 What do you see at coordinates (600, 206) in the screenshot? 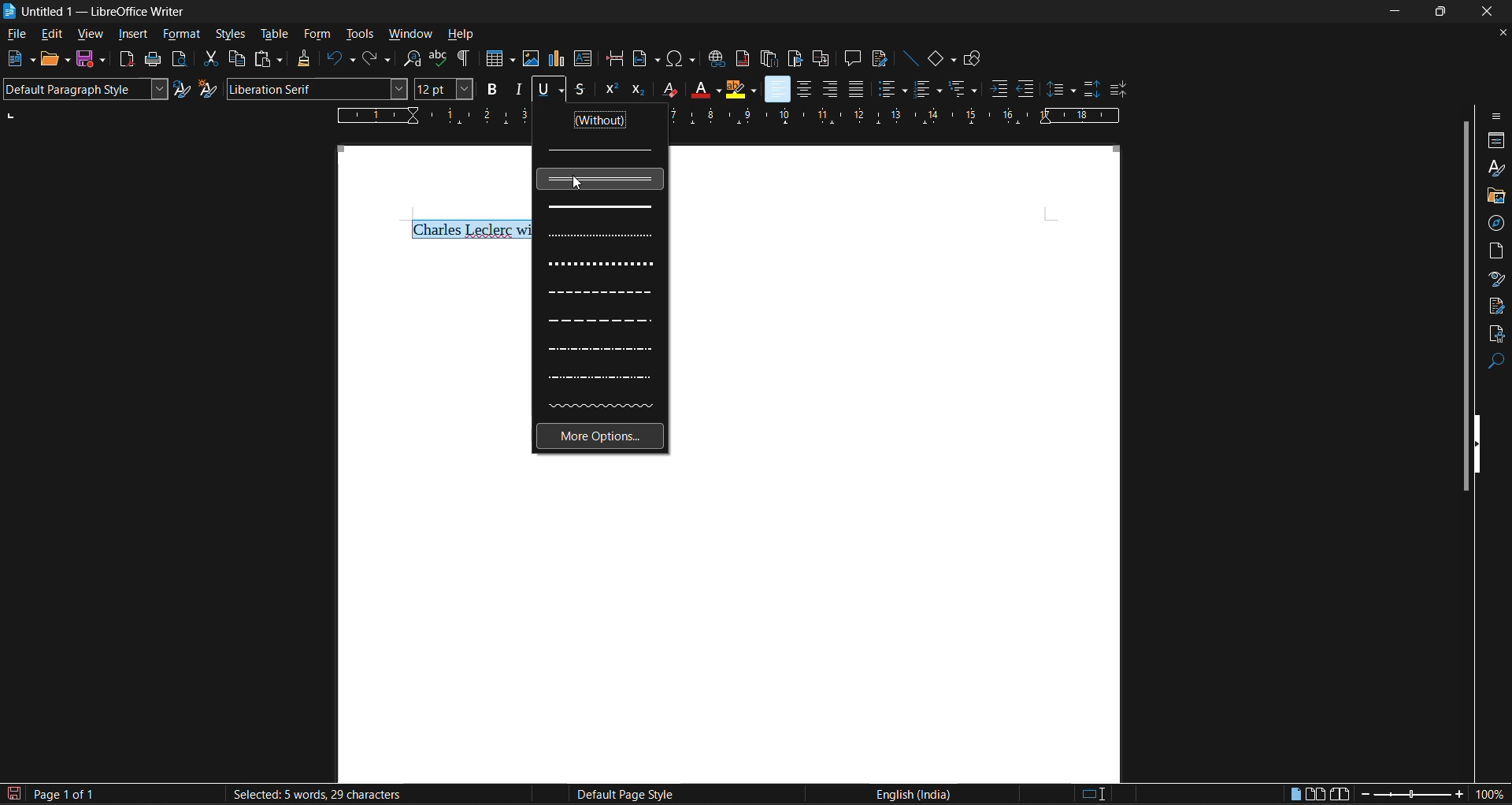
I see `bold` at bounding box center [600, 206].